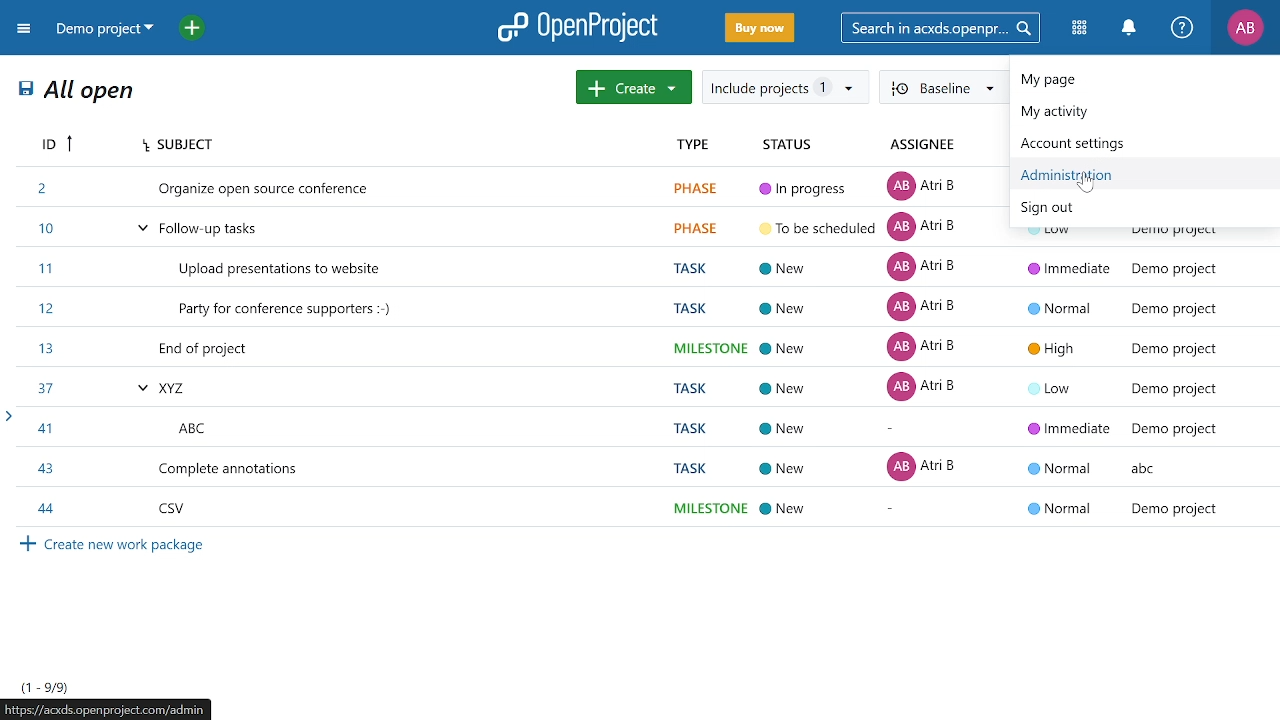 The image size is (1280, 720). Describe the element at coordinates (943, 86) in the screenshot. I see `baseline` at that location.